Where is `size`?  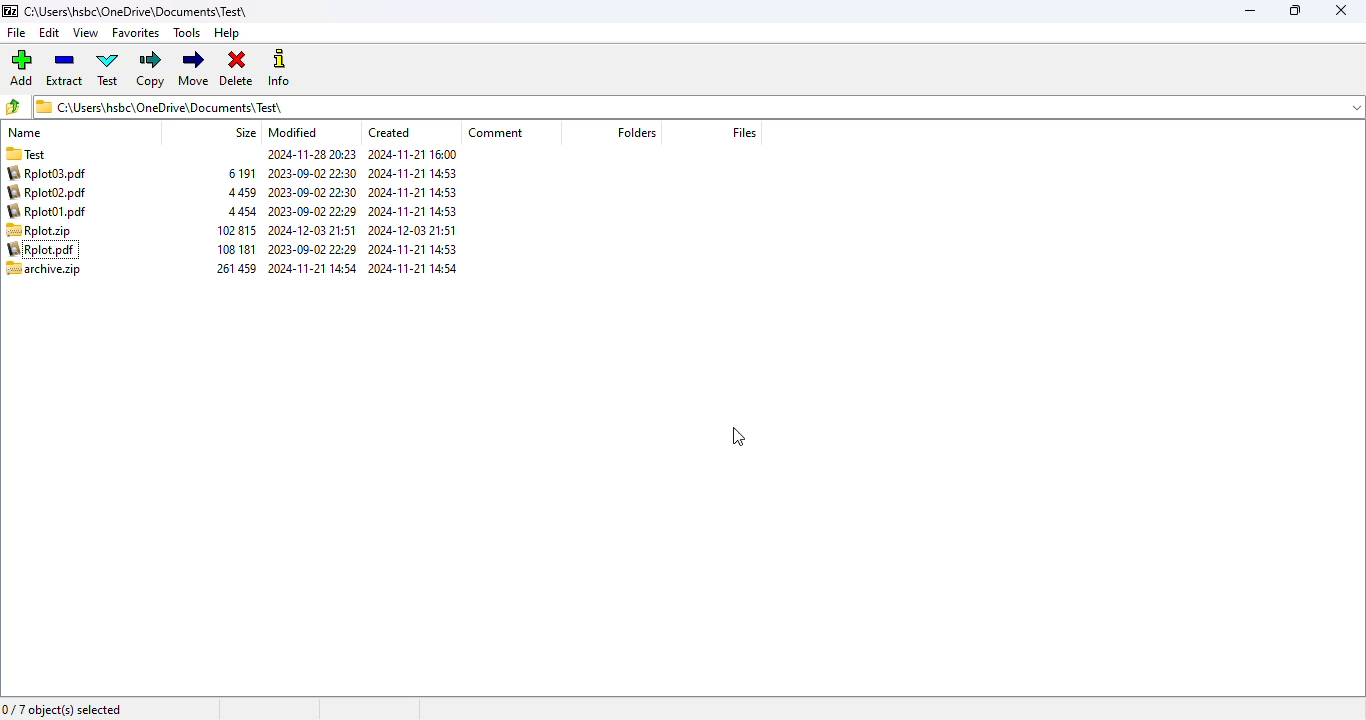 size is located at coordinates (244, 132).